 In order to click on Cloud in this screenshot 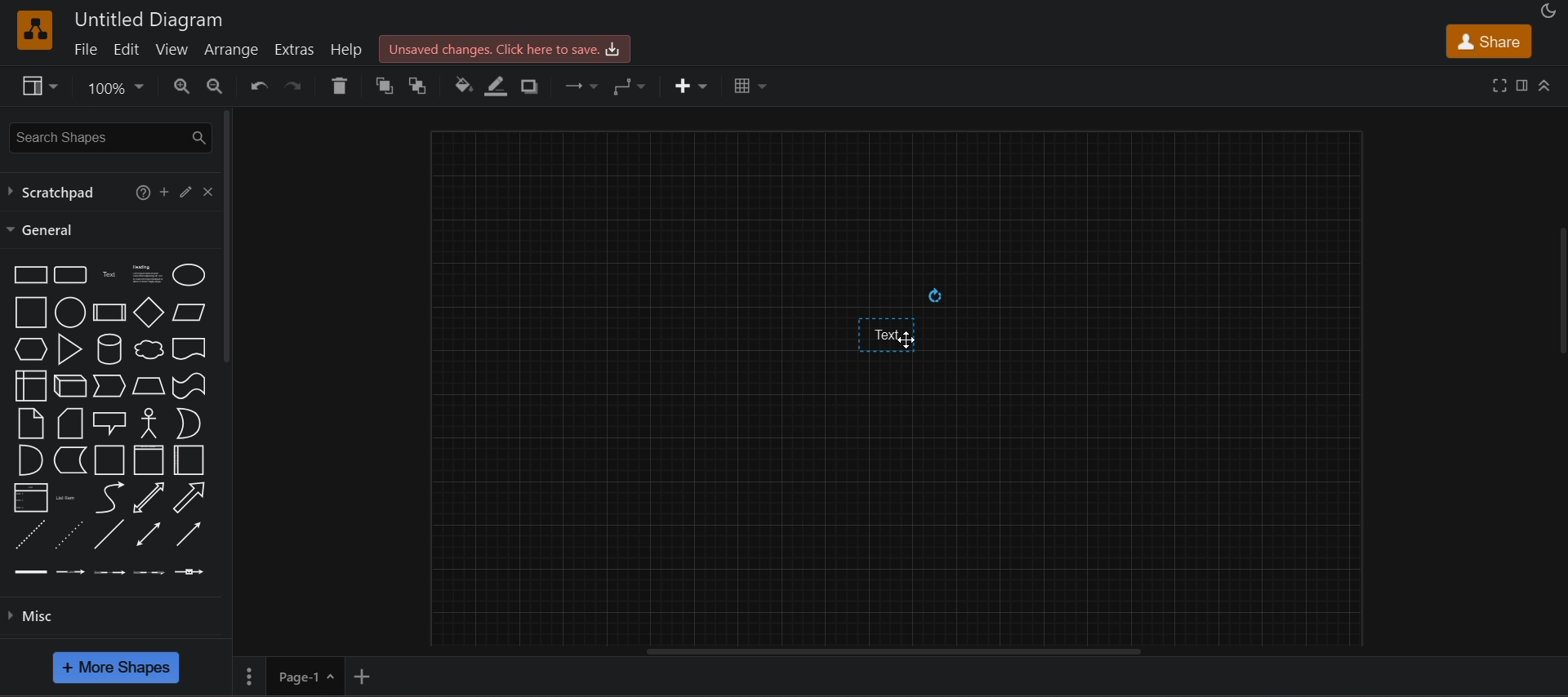, I will do `click(149, 349)`.